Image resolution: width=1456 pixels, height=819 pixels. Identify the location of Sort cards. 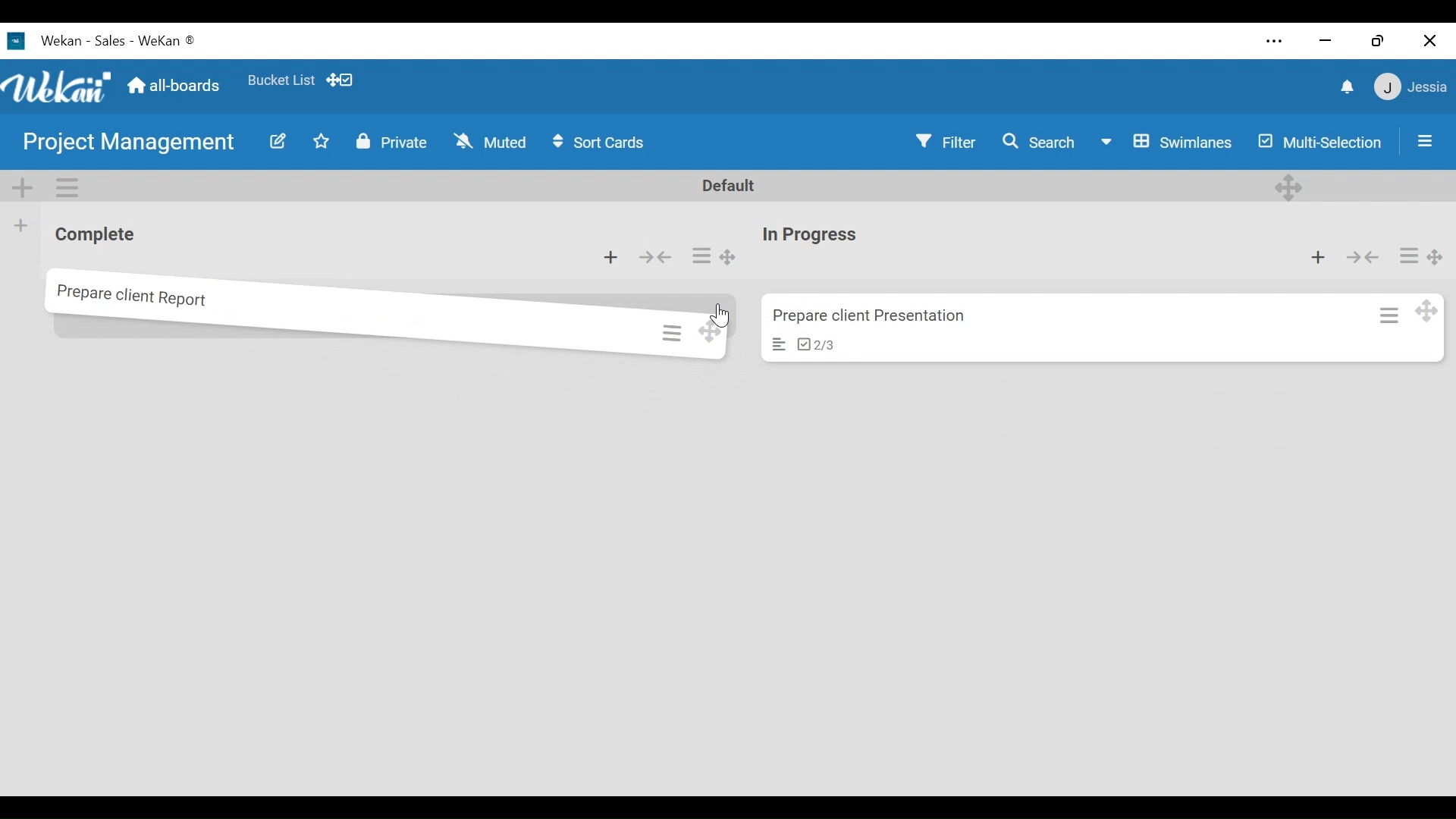
(602, 143).